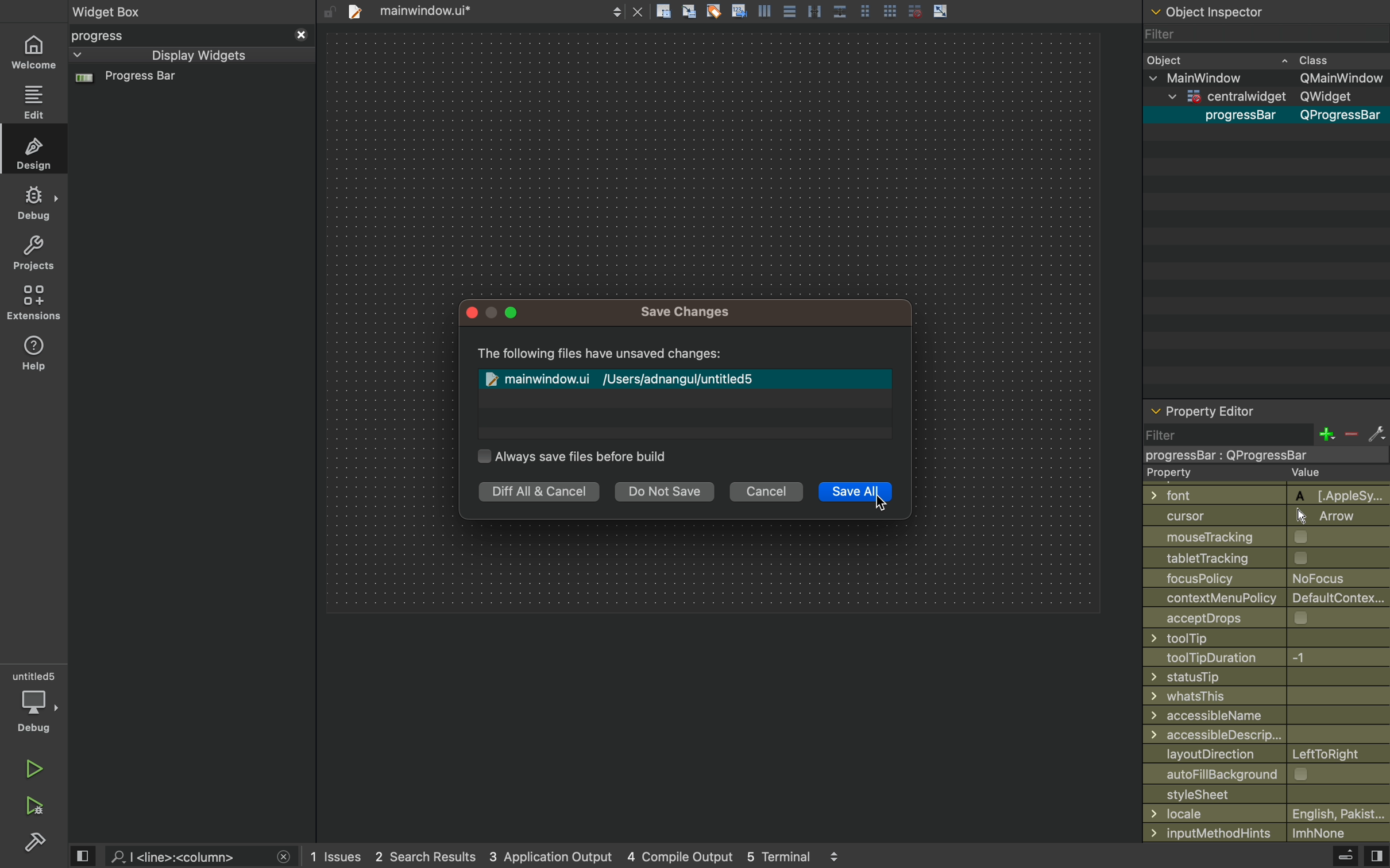 The height and width of the screenshot is (868, 1390). What do you see at coordinates (33, 53) in the screenshot?
I see `home` at bounding box center [33, 53].